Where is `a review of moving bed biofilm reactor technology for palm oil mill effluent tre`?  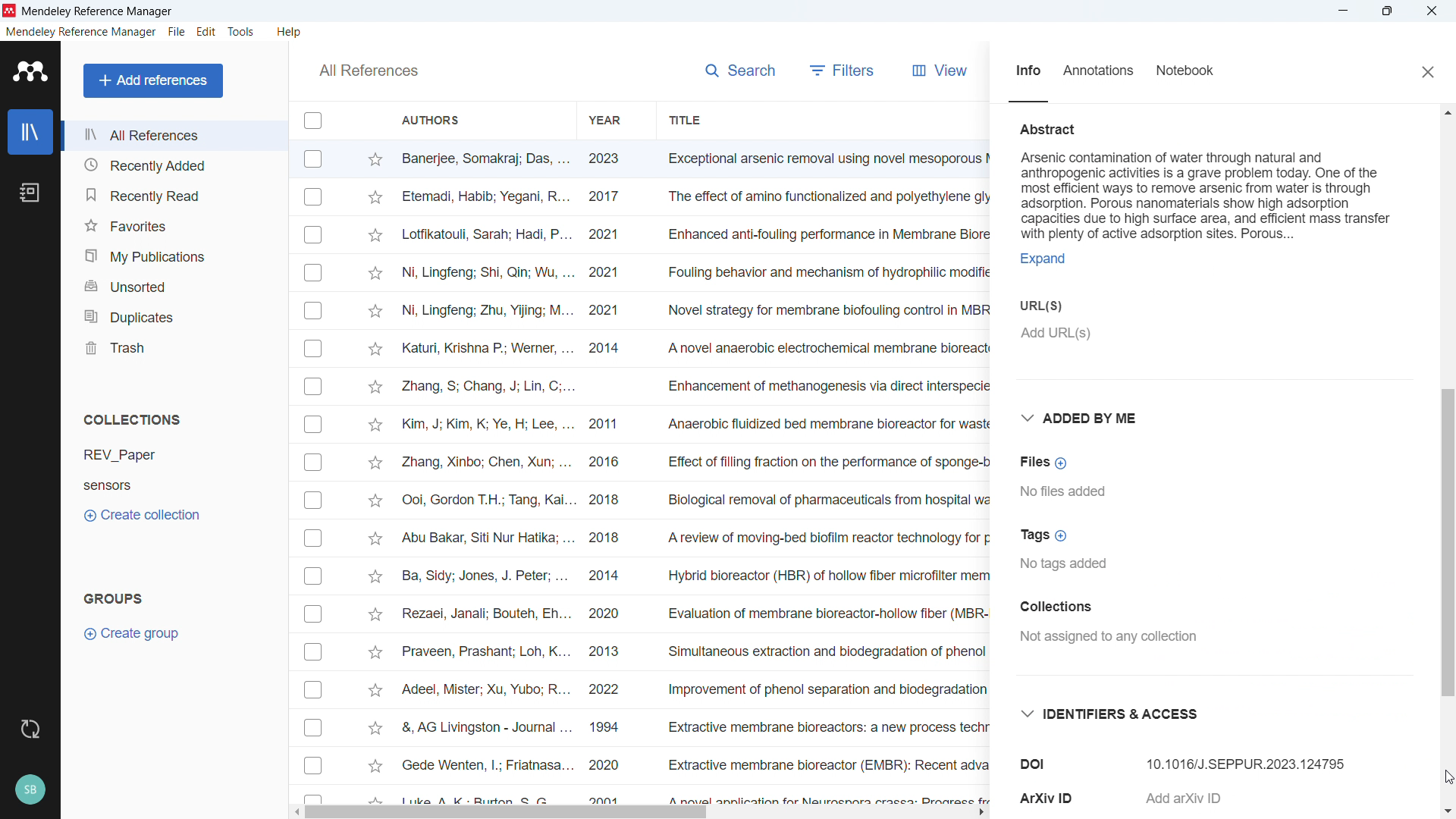
a review of moving bed biofilm reactor technology for palm oil mill effluent tre is located at coordinates (825, 541).